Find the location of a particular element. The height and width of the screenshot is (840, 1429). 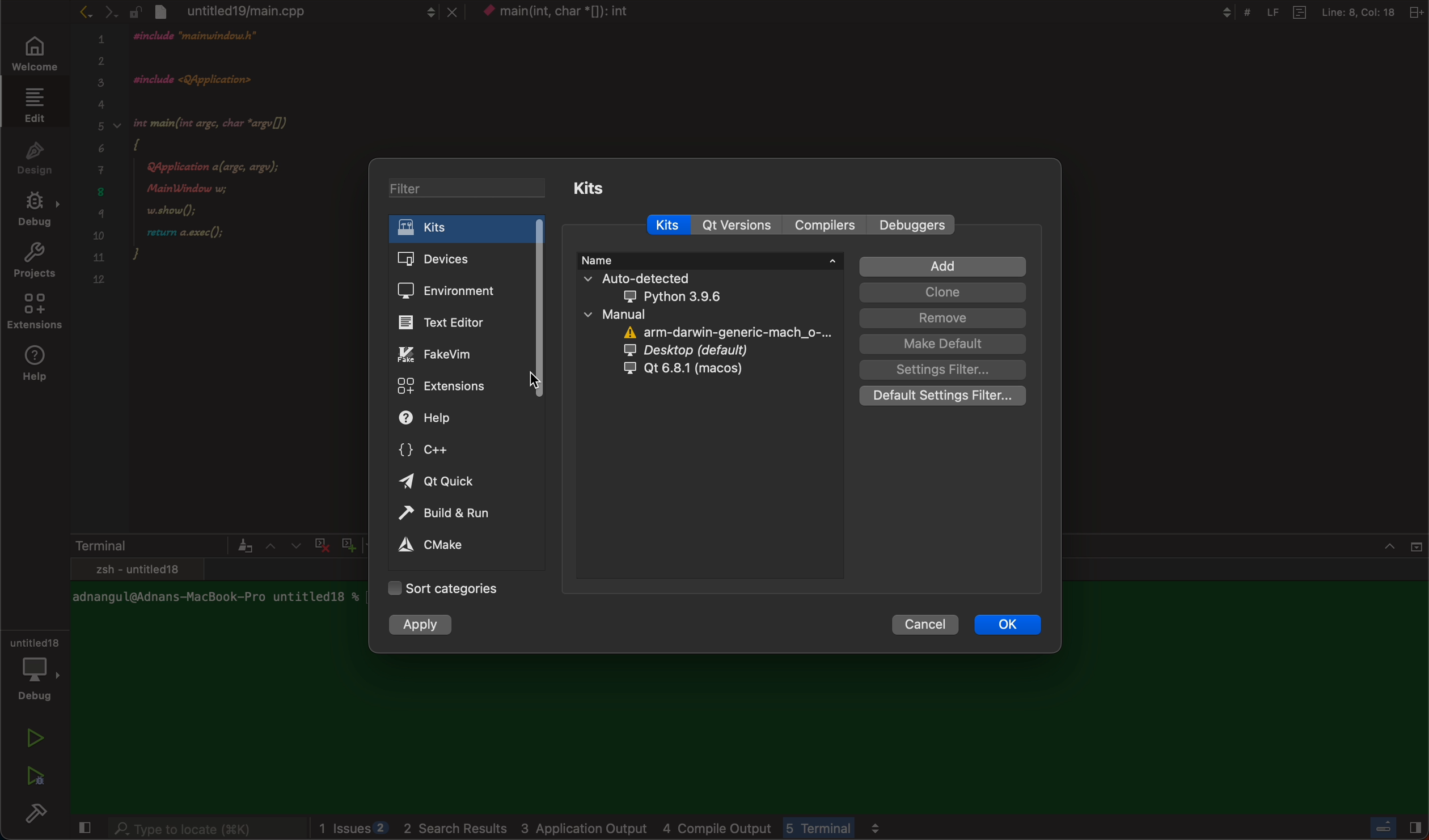

welcome is located at coordinates (32, 55).